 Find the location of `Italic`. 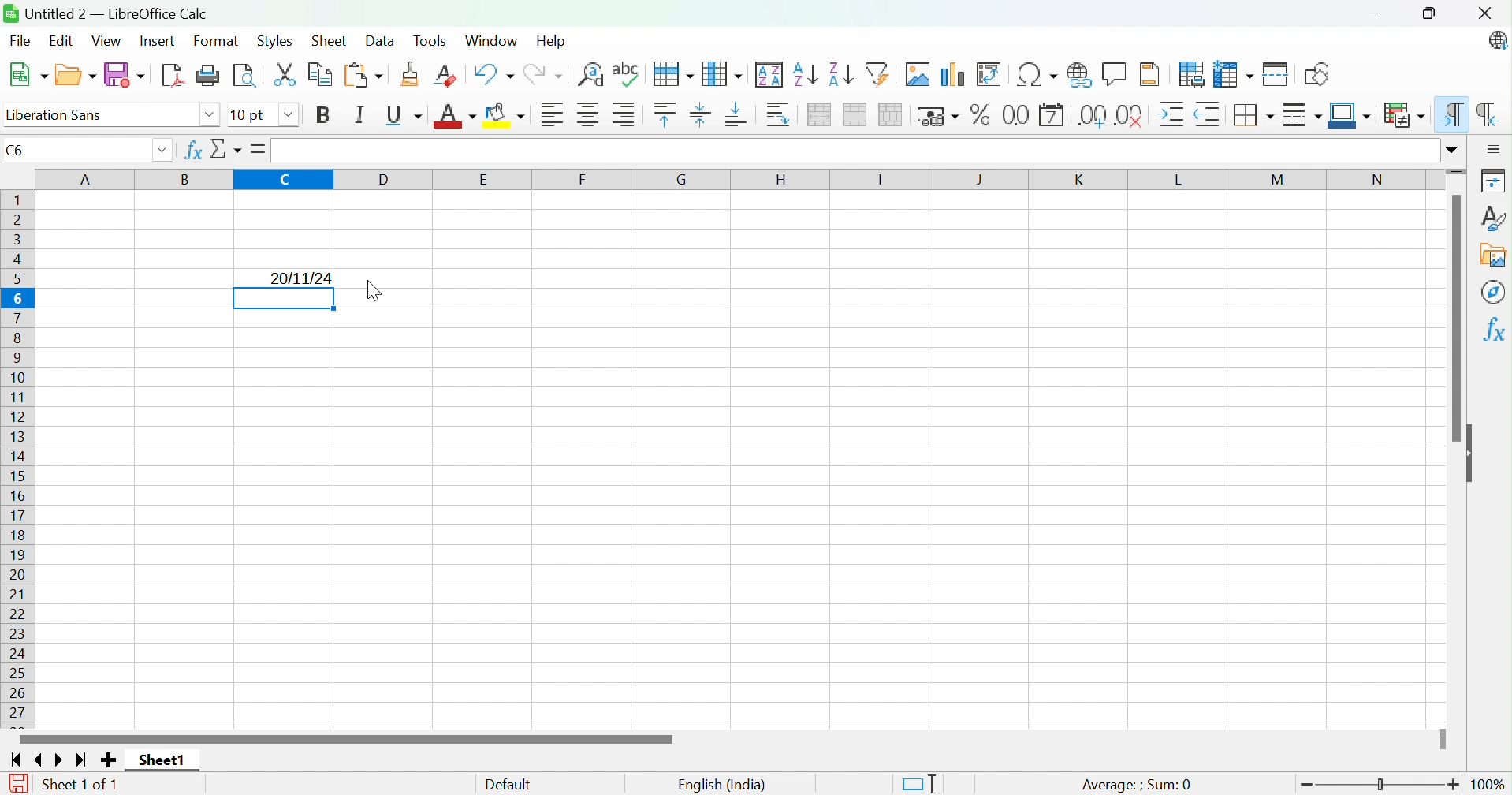

Italic is located at coordinates (360, 114).